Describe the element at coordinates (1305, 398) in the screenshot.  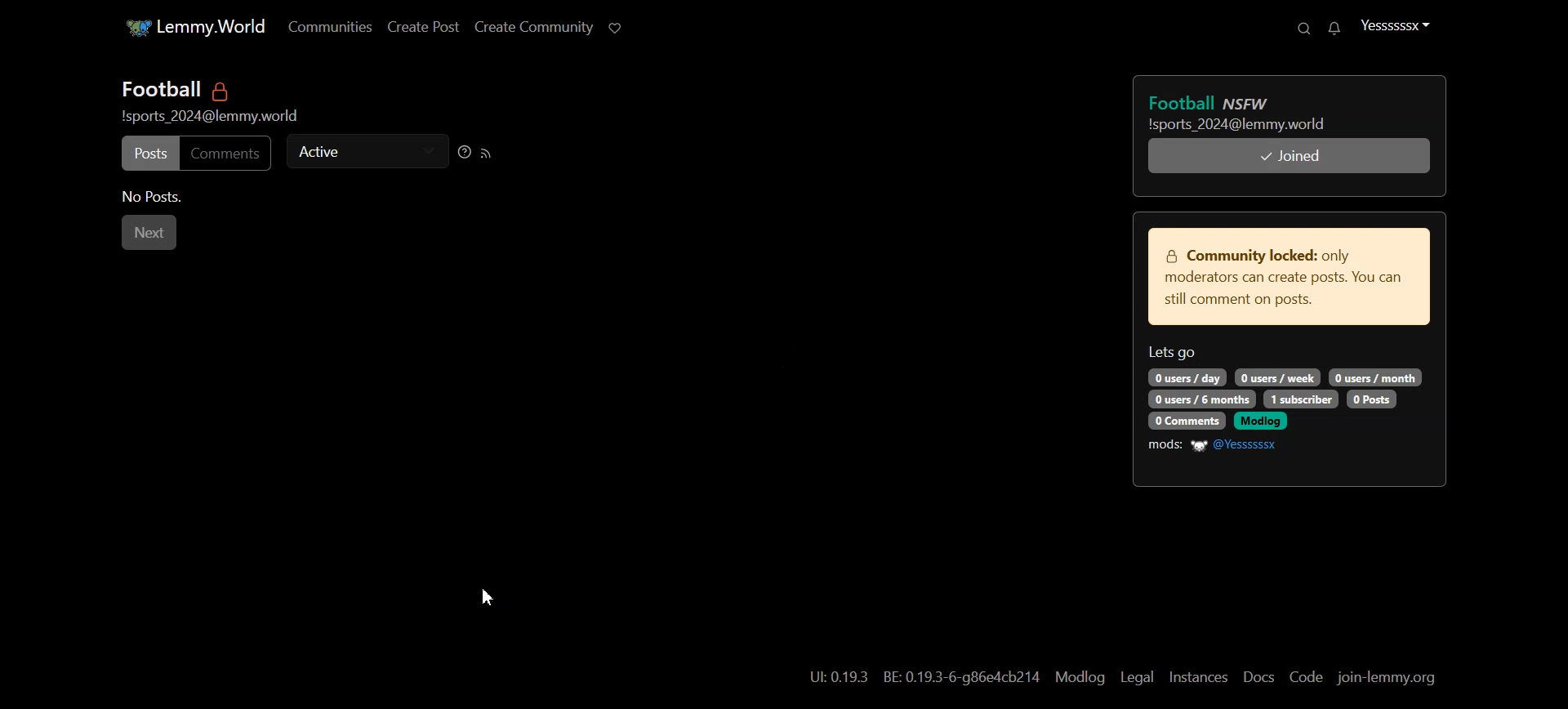
I see `text` at that location.